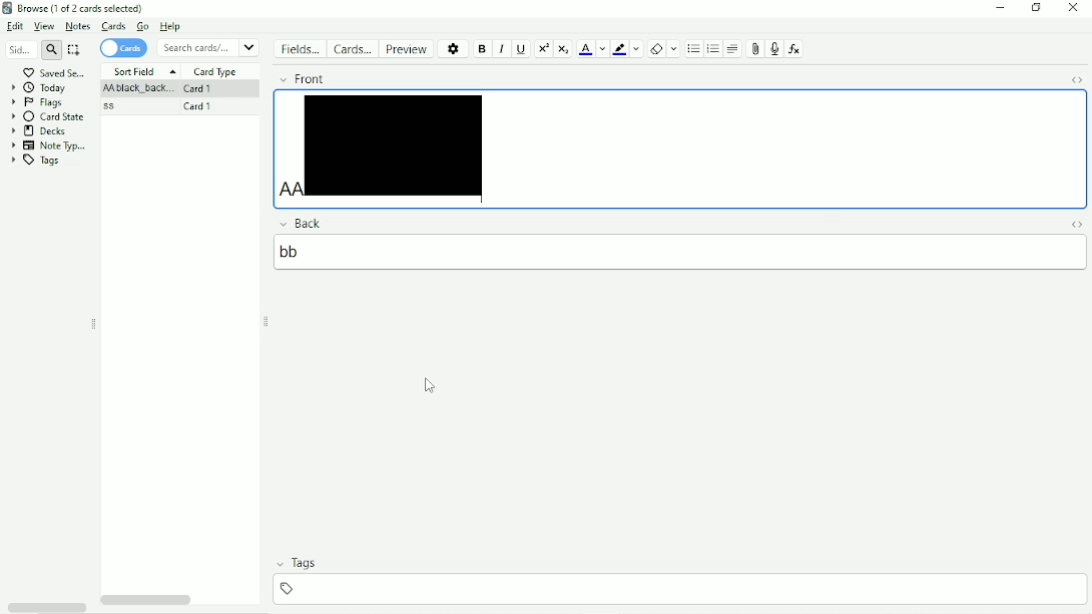 This screenshot has height=614, width=1092. What do you see at coordinates (33, 160) in the screenshot?
I see `Tags` at bounding box center [33, 160].